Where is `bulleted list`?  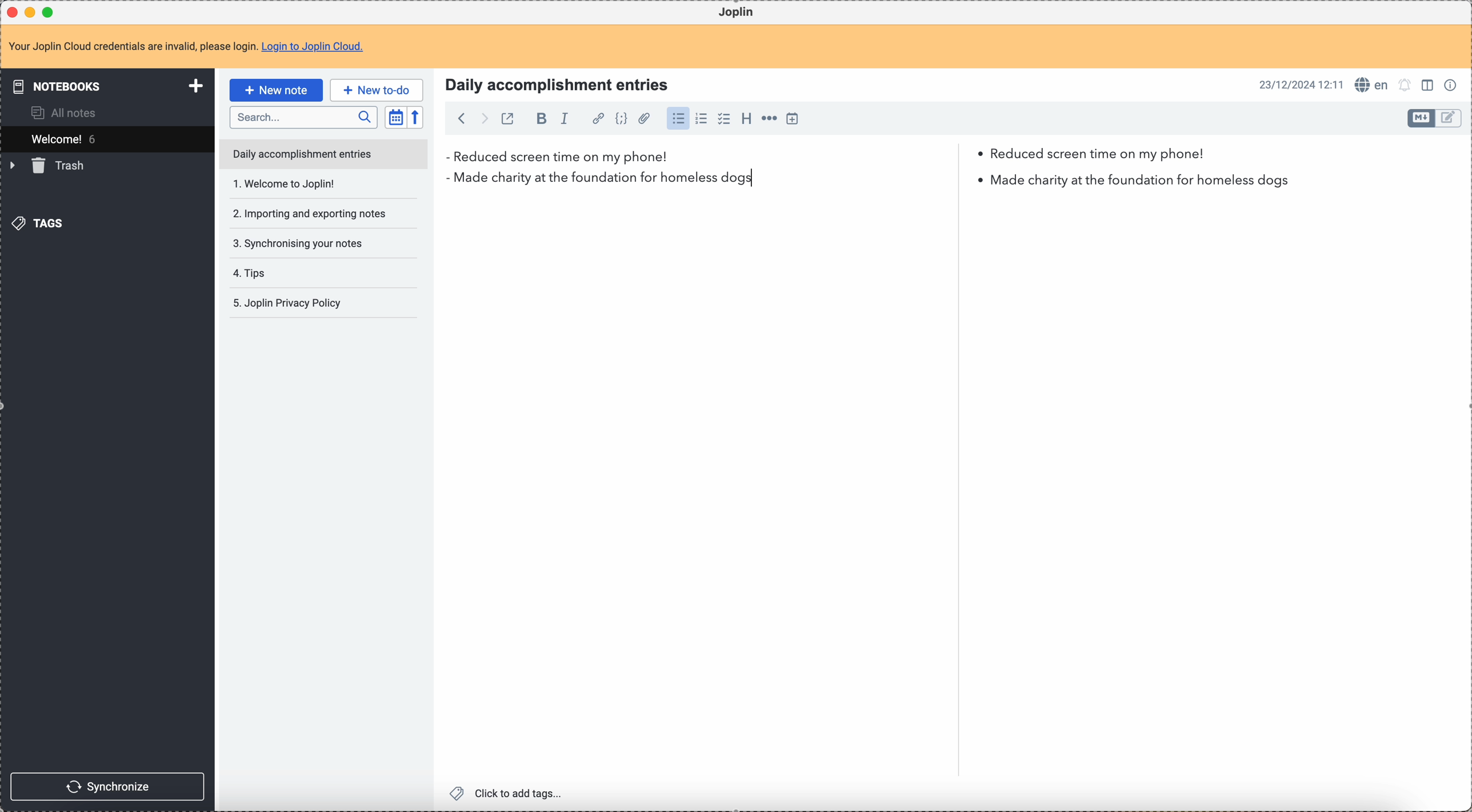
bulleted list is located at coordinates (678, 120).